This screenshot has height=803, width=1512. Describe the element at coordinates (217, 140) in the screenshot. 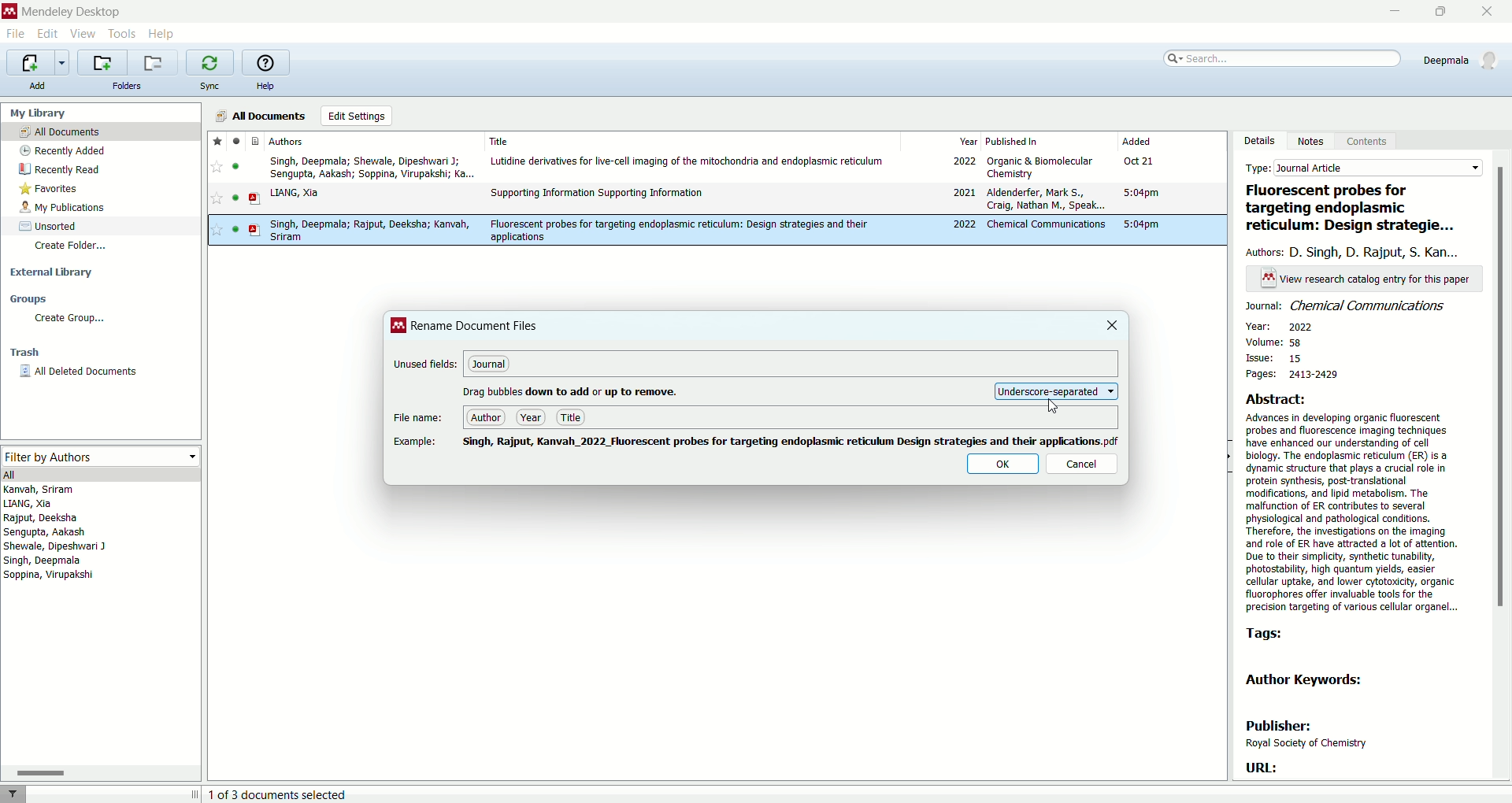

I see `favorite` at that location.